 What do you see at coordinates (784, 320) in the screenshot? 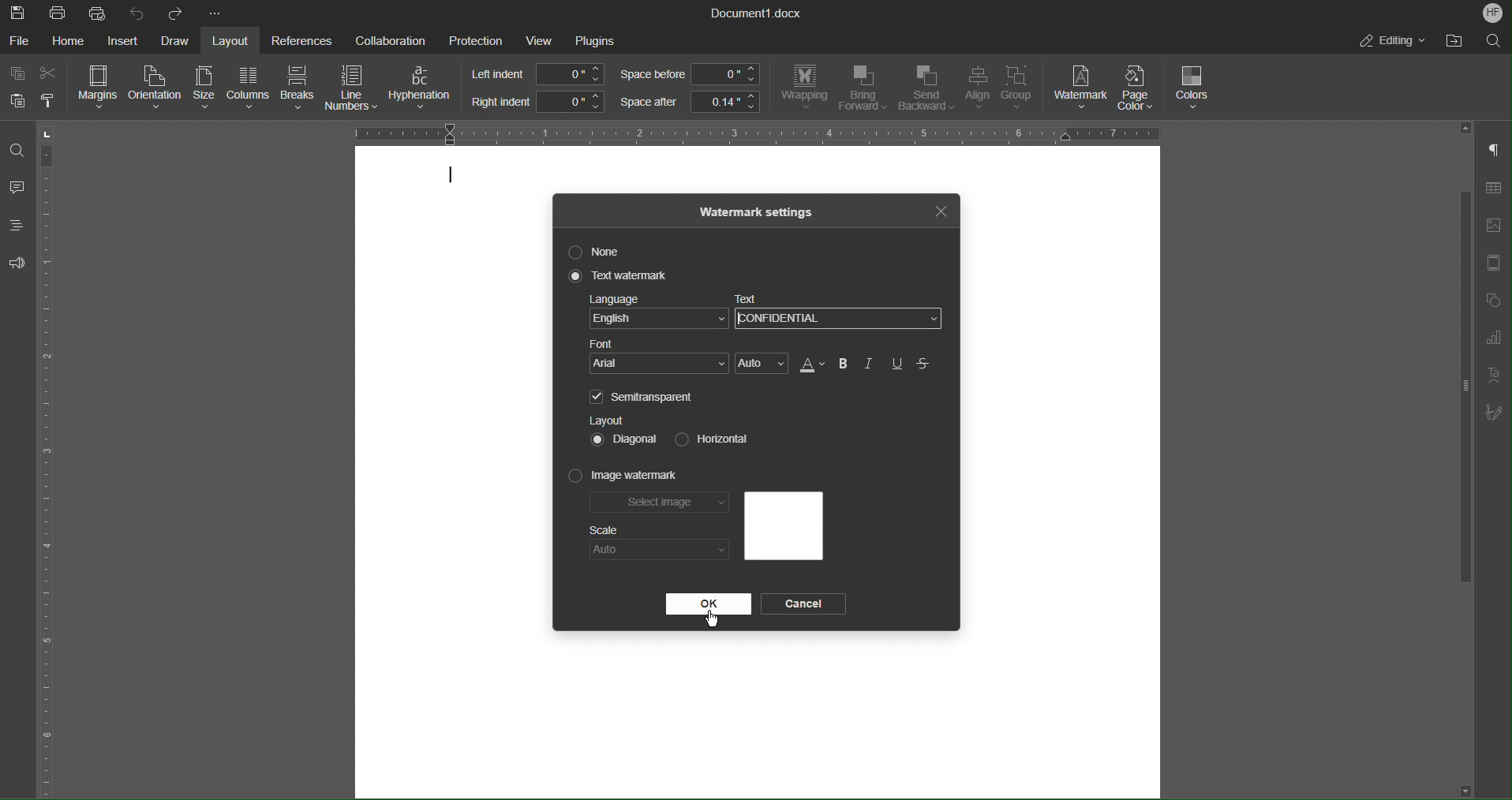
I see `Confidential` at bounding box center [784, 320].